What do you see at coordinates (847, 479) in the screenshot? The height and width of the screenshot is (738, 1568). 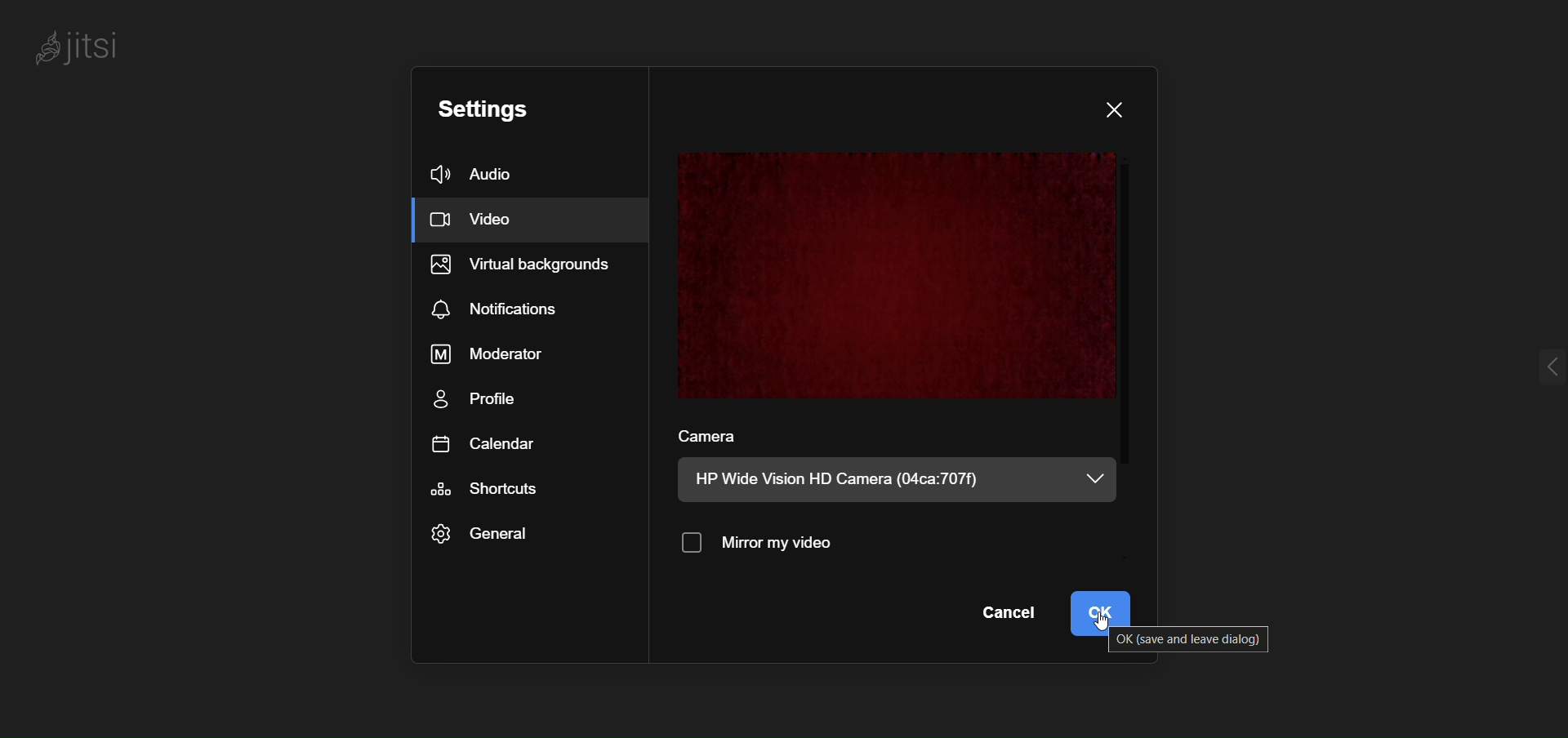 I see `HP Wide Vision HD Camera (04ca:707f)` at bounding box center [847, 479].